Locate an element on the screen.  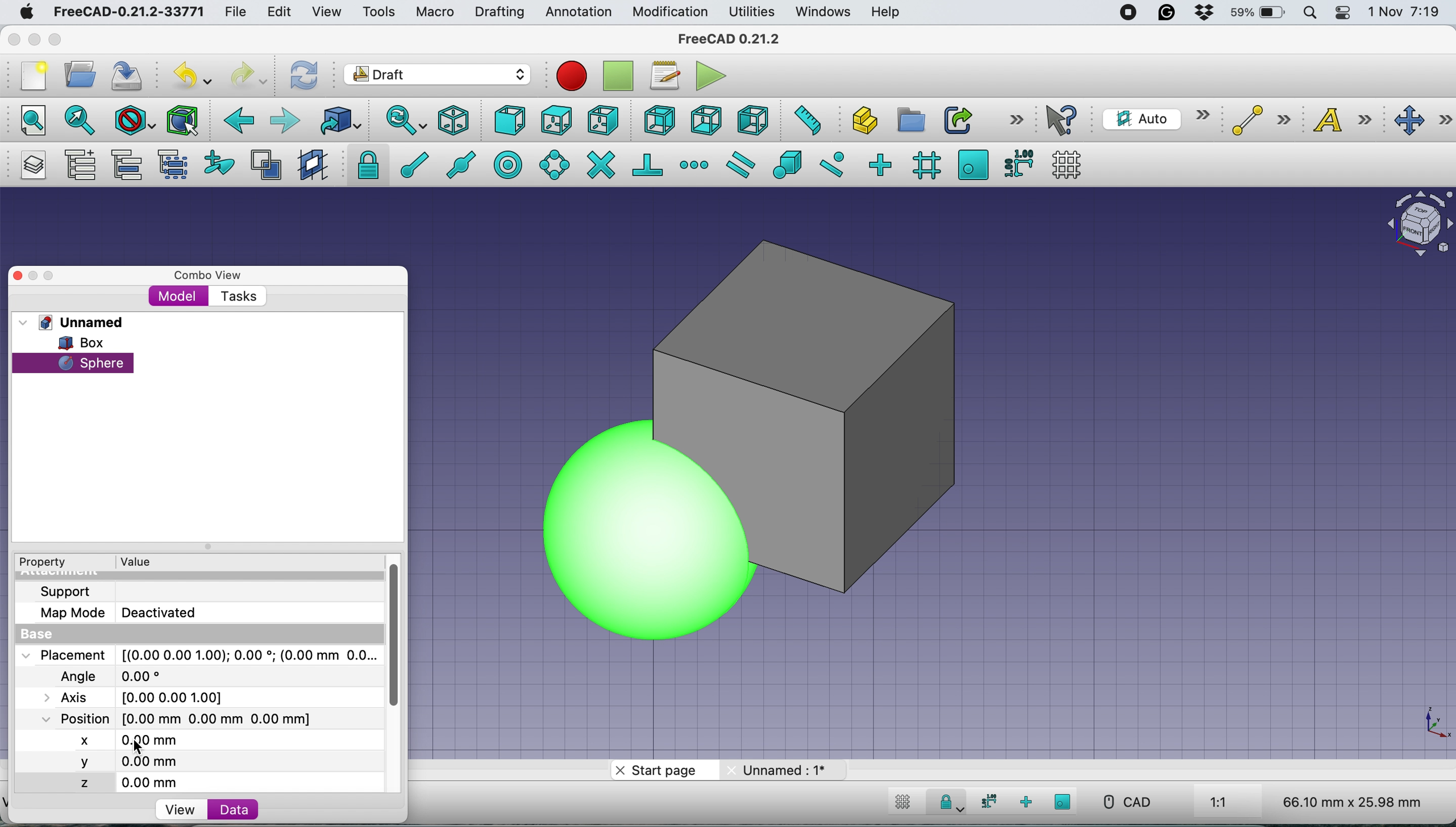
snap midpoint is located at coordinates (457, 164).